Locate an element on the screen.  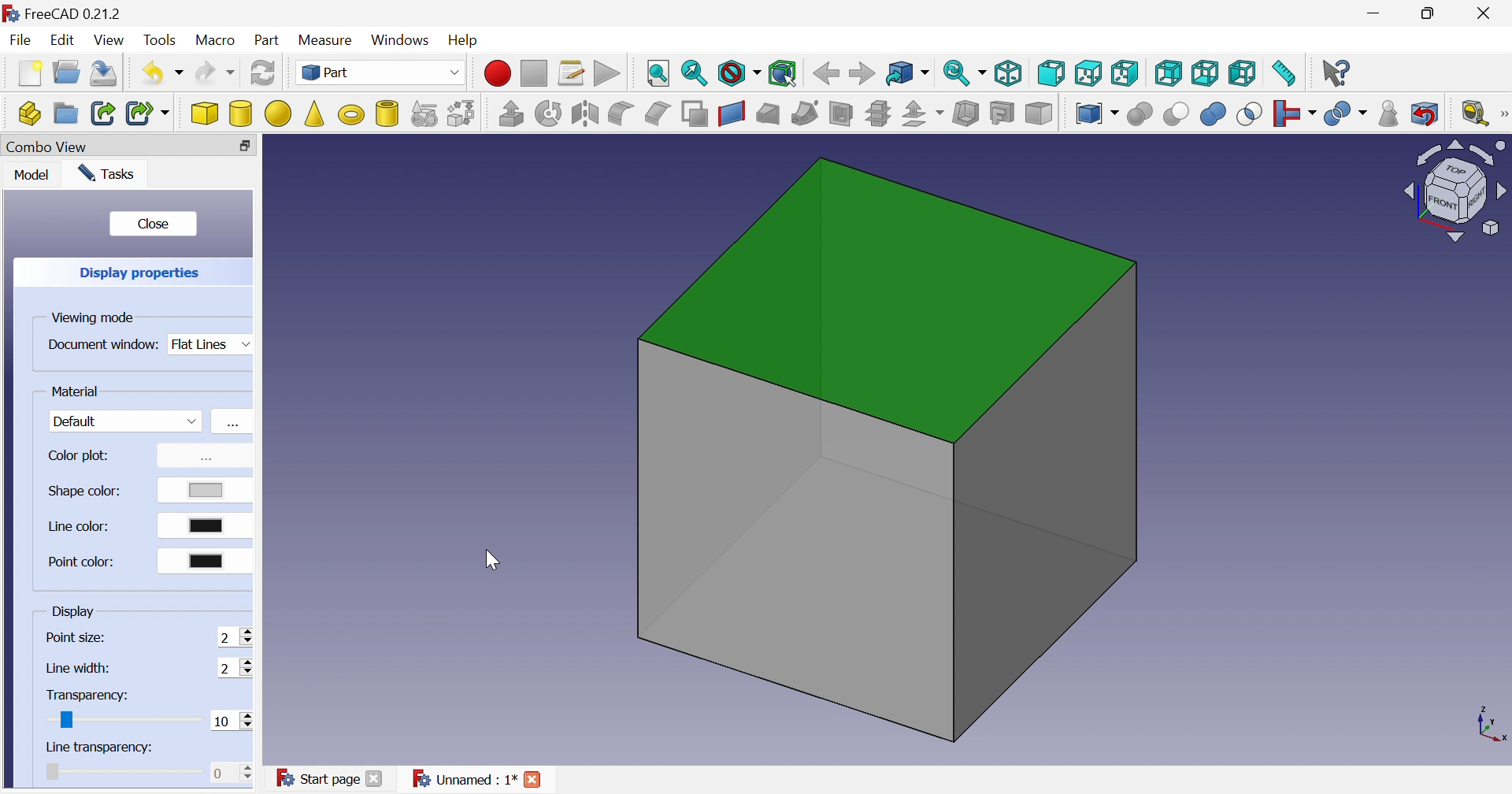
Bottom is located at coordinates (1206, 72).